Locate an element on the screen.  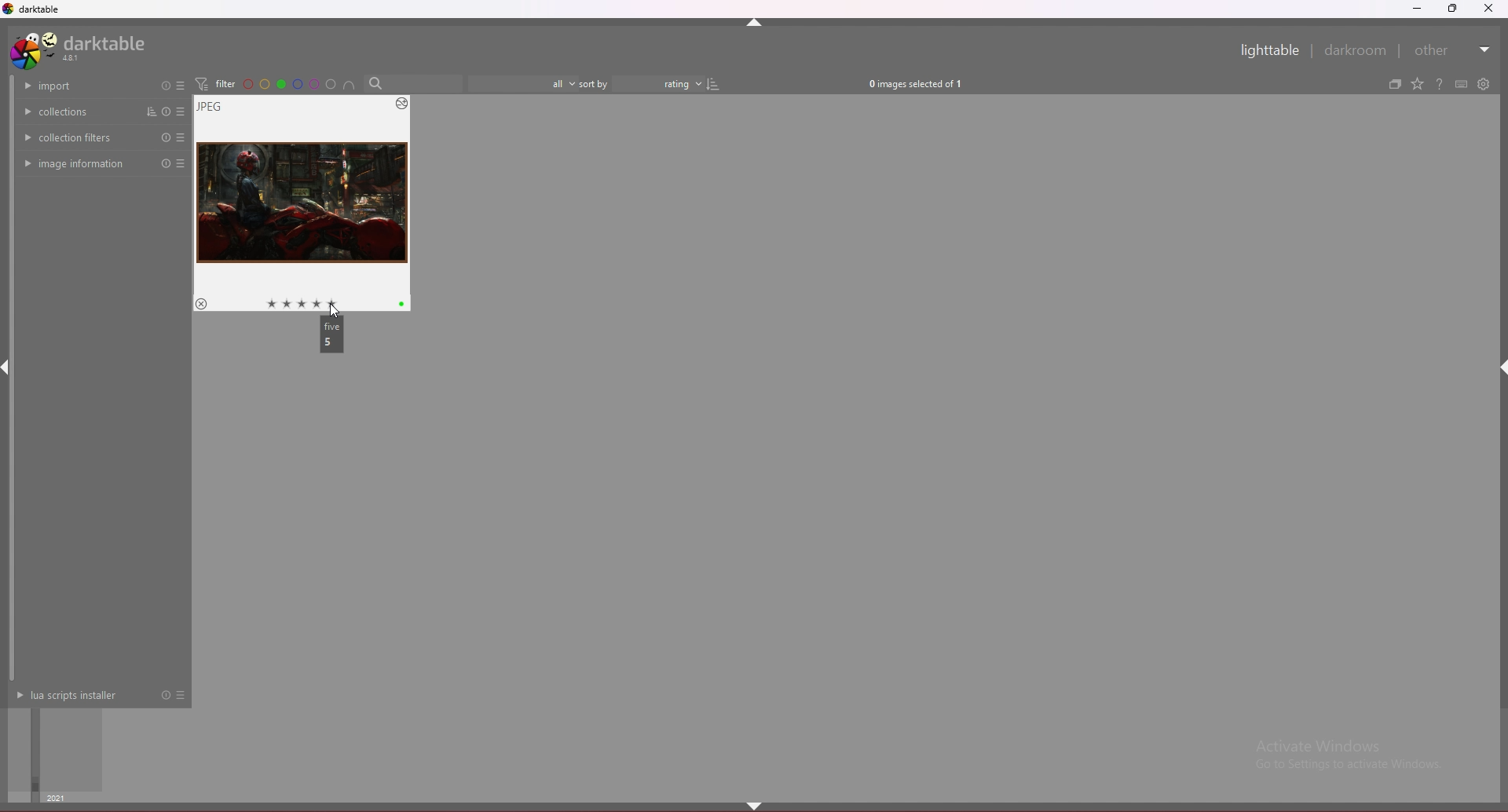
sort is located at coordinates (152, 112).